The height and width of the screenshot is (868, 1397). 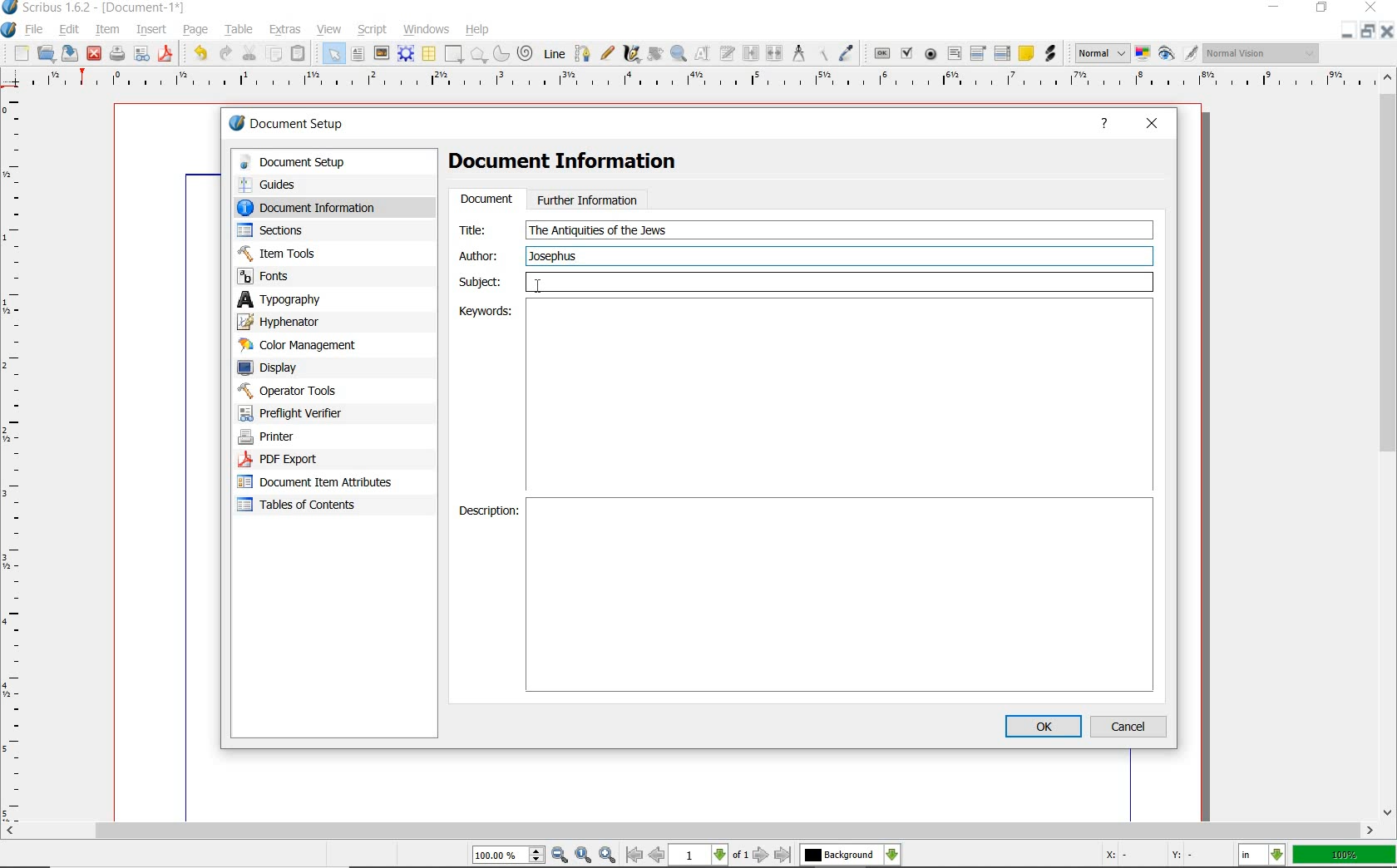 What do you see at coordinates (1368, 31) in the screenshot?
I see `restore` at bounding box center [1368, 31].